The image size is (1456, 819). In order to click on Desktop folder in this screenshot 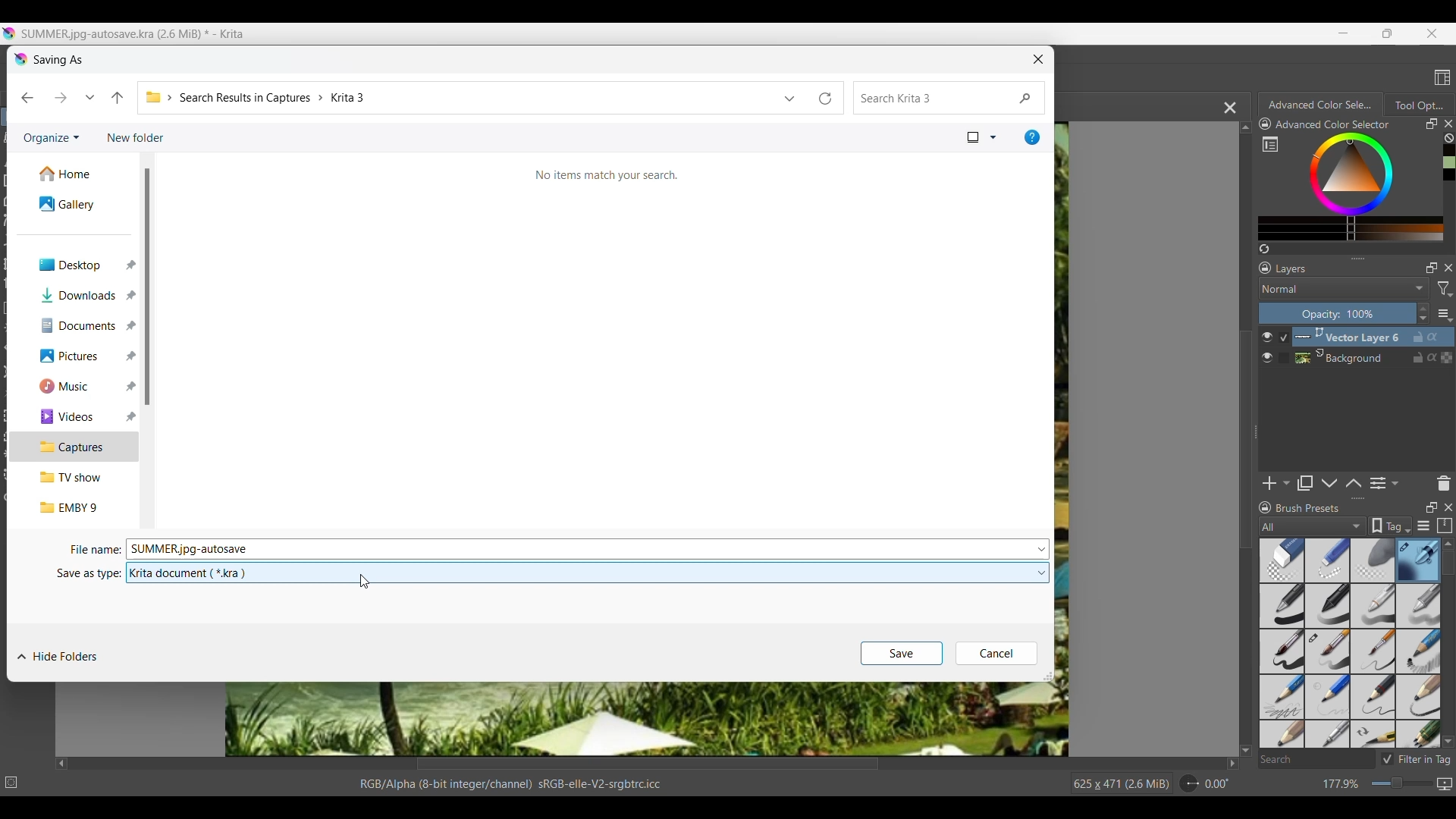, I will do `click(75, 265)`.